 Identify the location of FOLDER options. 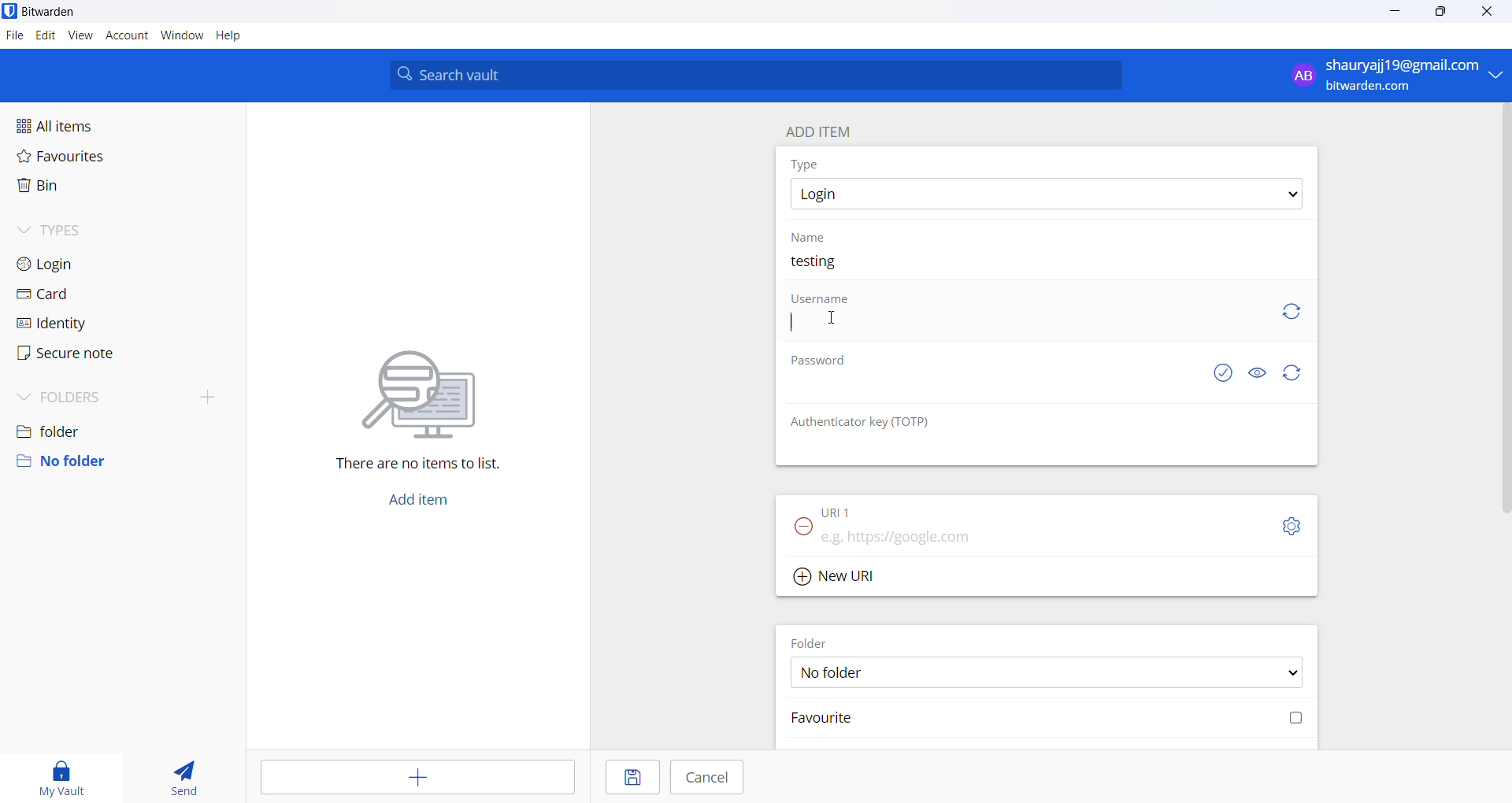
(1048, 673).